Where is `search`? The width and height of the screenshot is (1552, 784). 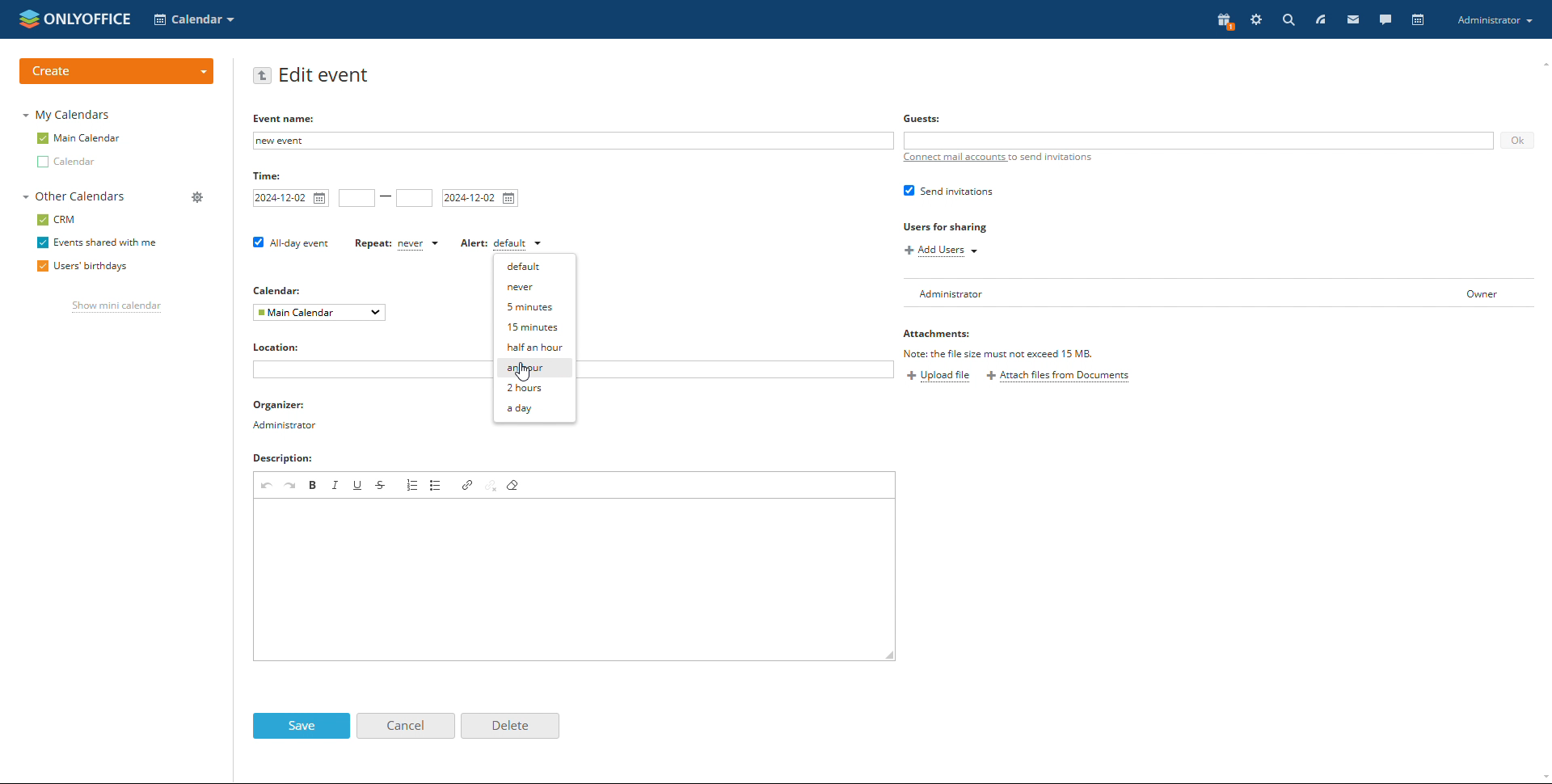 search is located at coordinates (1290, 20).